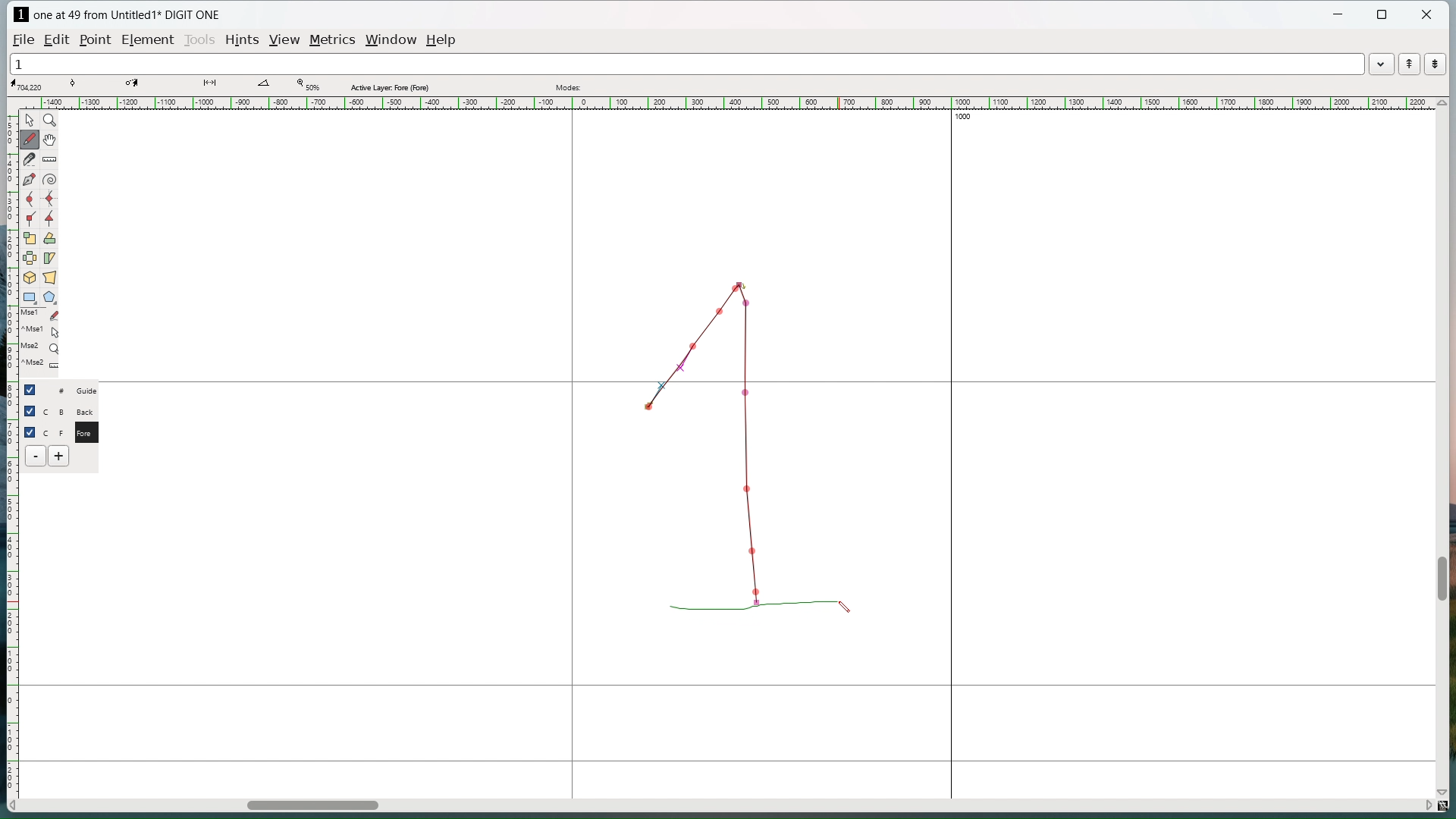 The image size is (1456, 819). Describe the element at coordinates (391, 86) in the screenshot. I see `Active layer fore` at that location.